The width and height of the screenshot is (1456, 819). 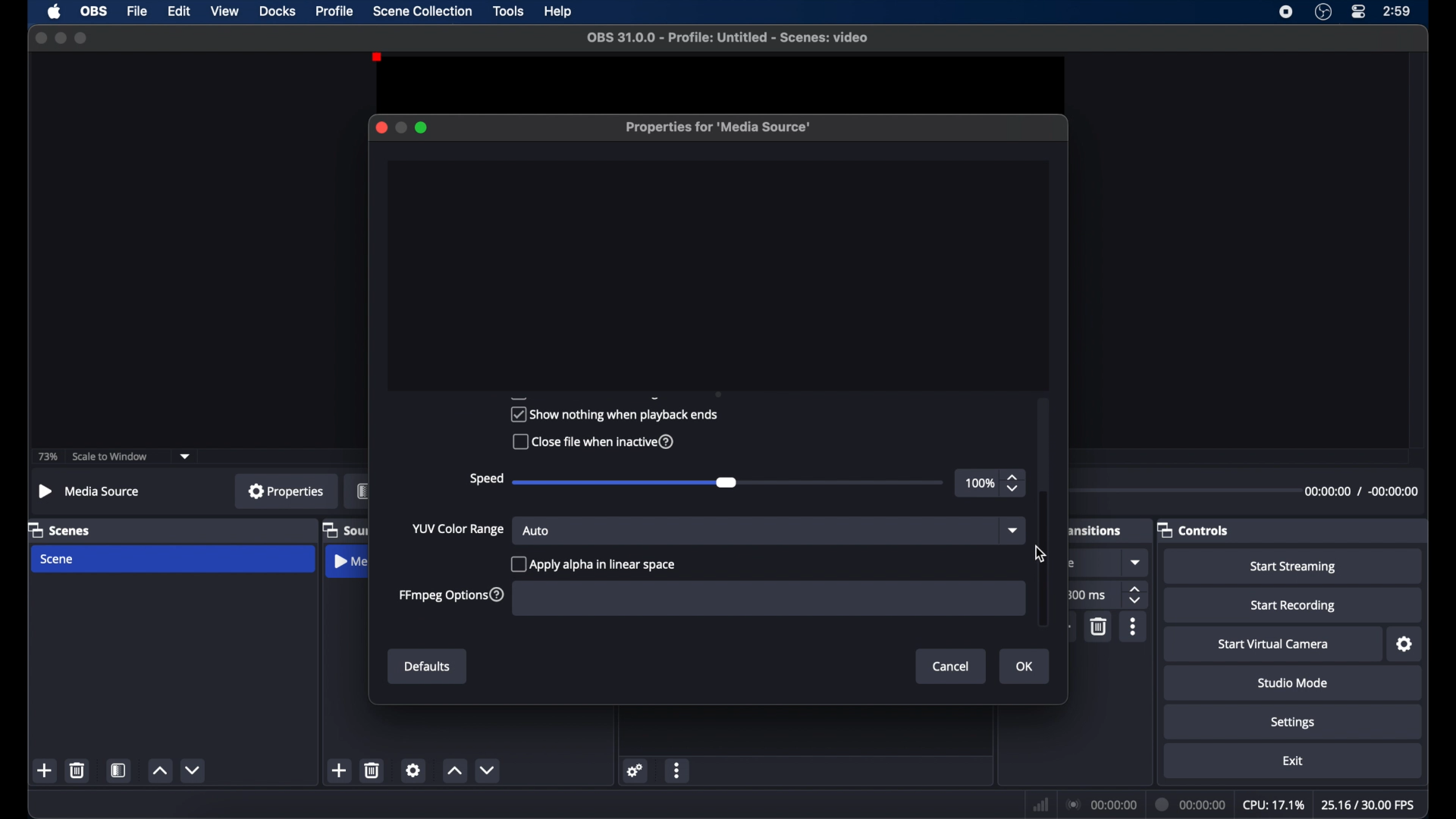 What do you see at coordinates (1398, 11) in the screenshot?
I see `time` at bounding box center [1398, 11].